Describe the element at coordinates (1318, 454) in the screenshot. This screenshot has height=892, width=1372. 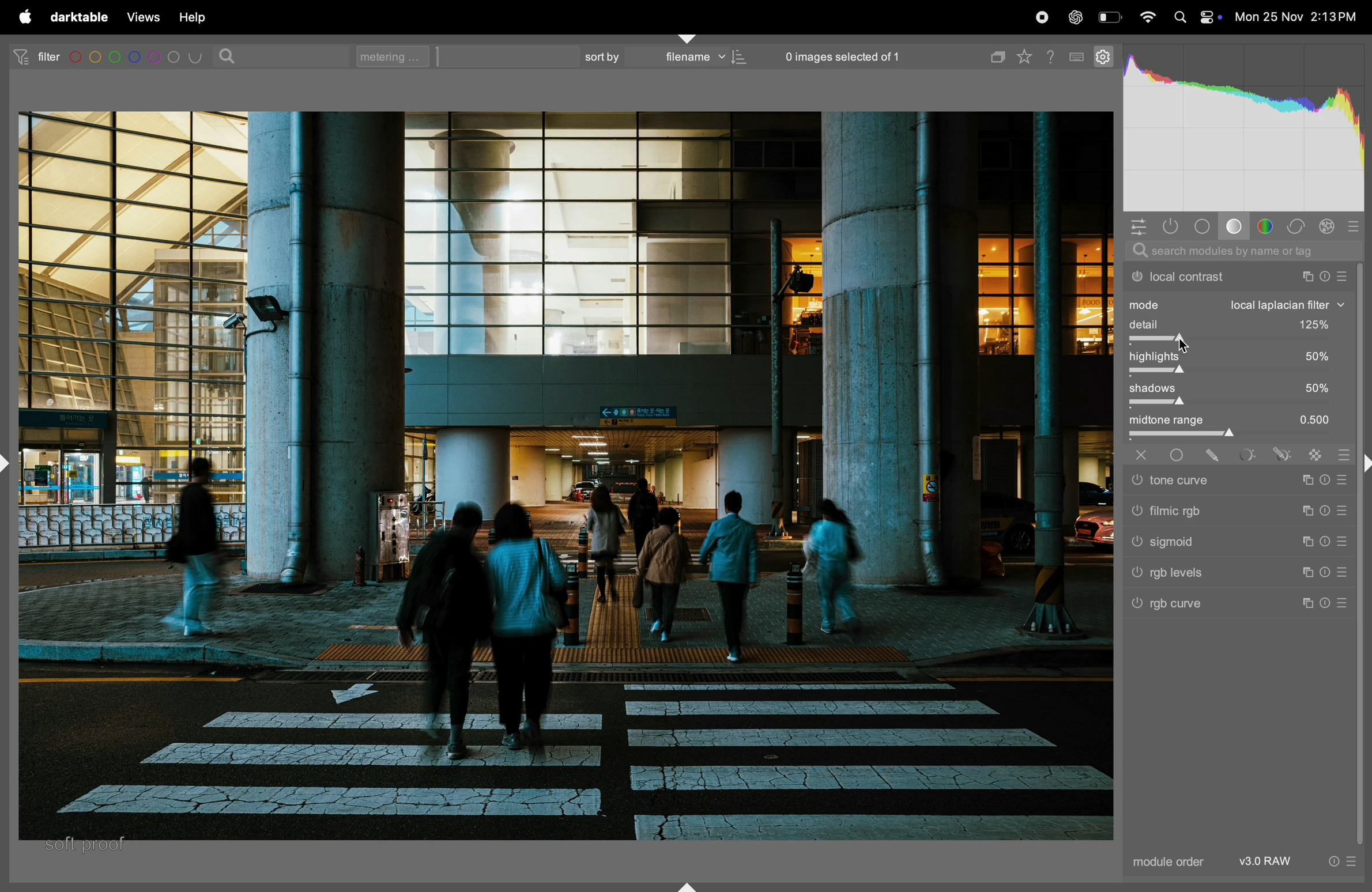
I see `raster mask` at that location.